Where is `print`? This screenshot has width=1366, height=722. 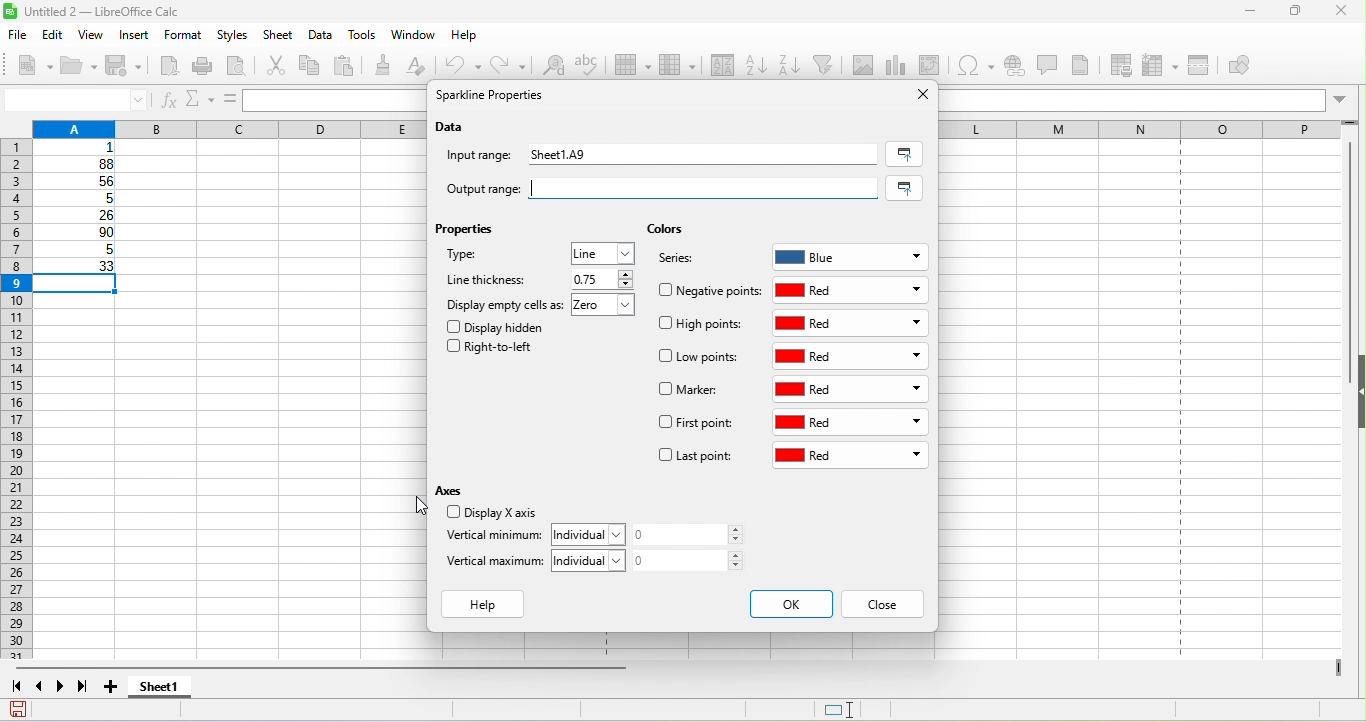 print is located at coordinates (207, 66).